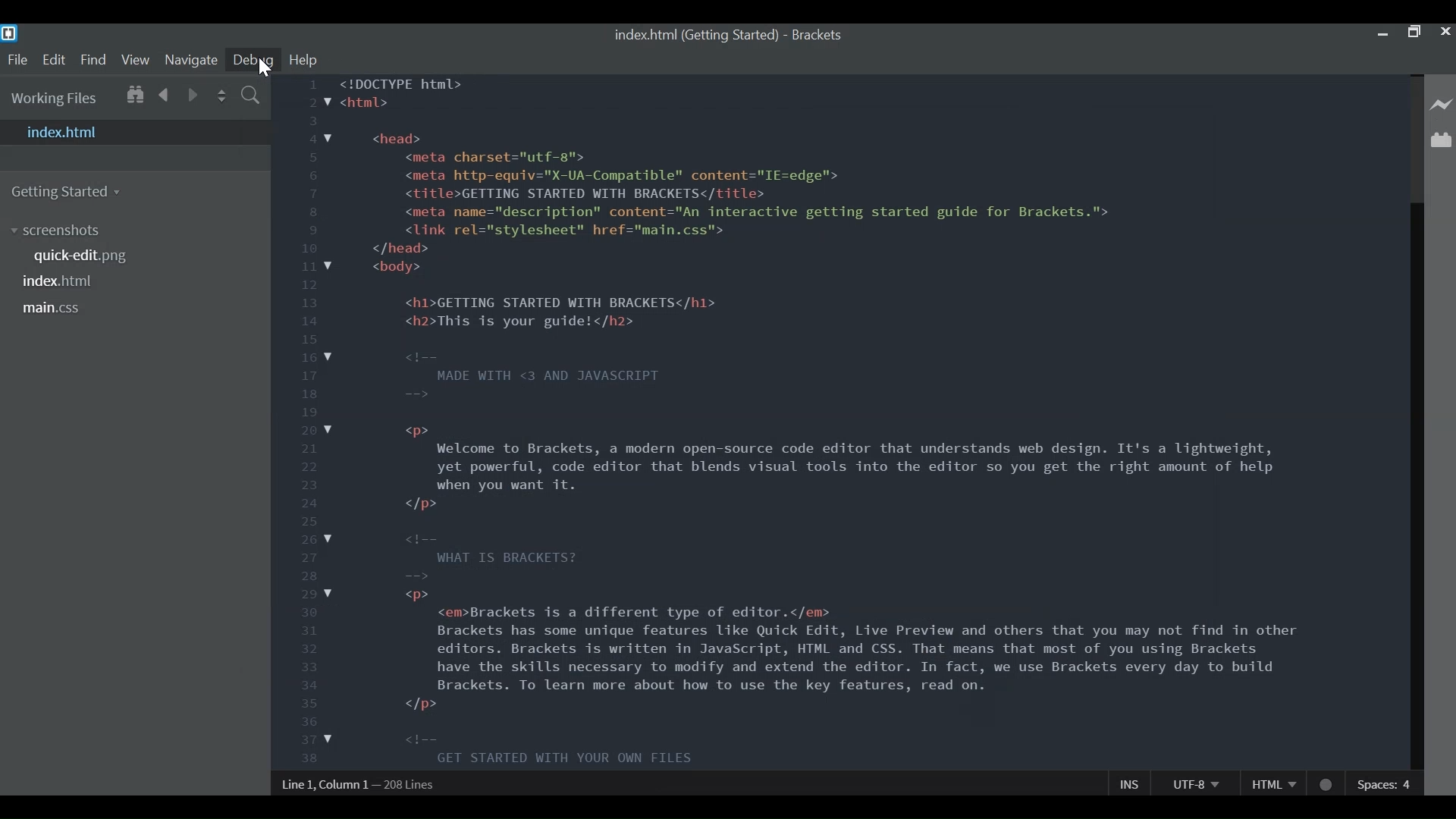 The width and height of the screenshot is (1456, 819). Describe the element at coordinates (163, 95) in the screenshot. I see `Navigate backward` at that location.